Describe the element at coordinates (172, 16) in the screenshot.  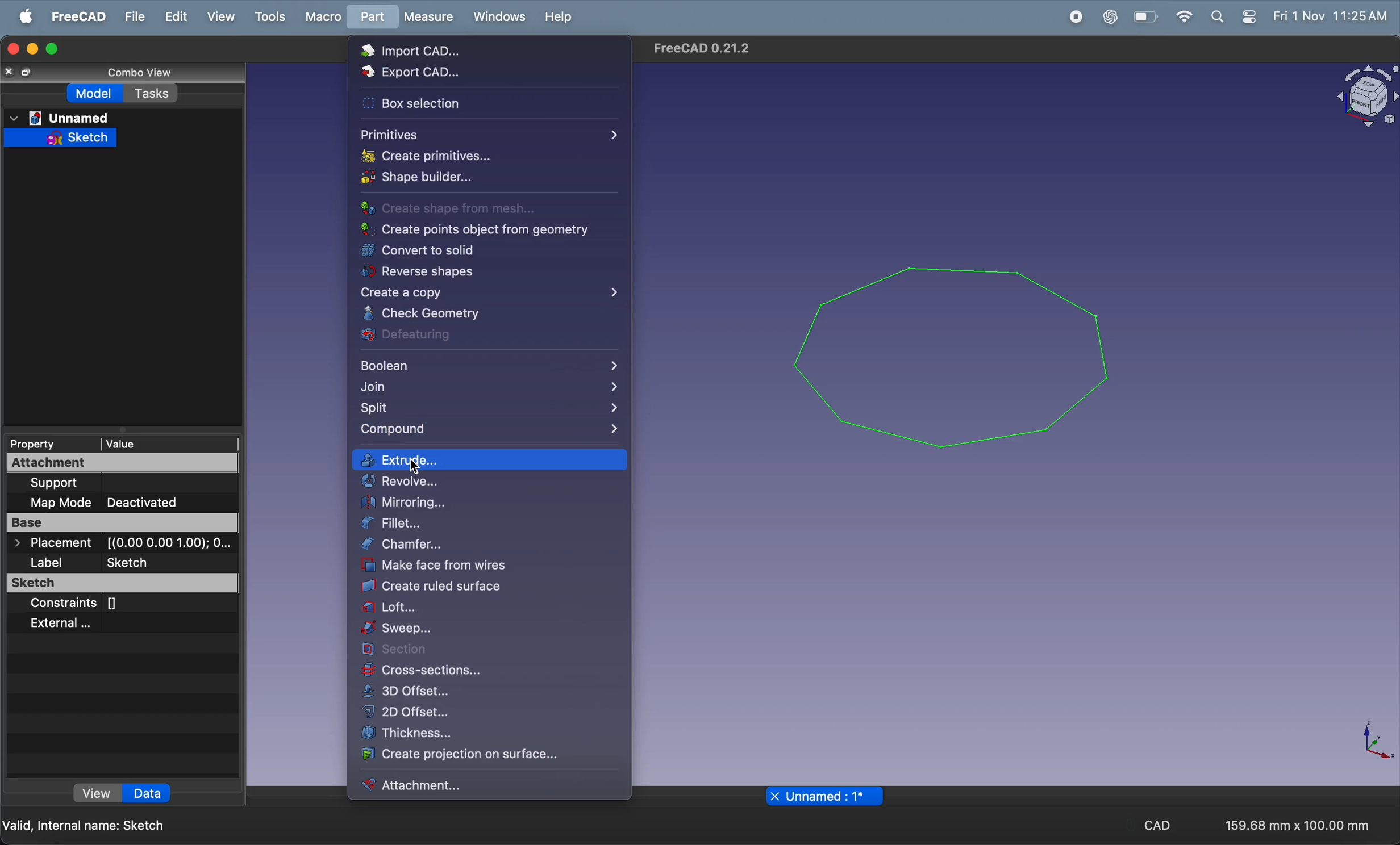
I see `edit` at that location.